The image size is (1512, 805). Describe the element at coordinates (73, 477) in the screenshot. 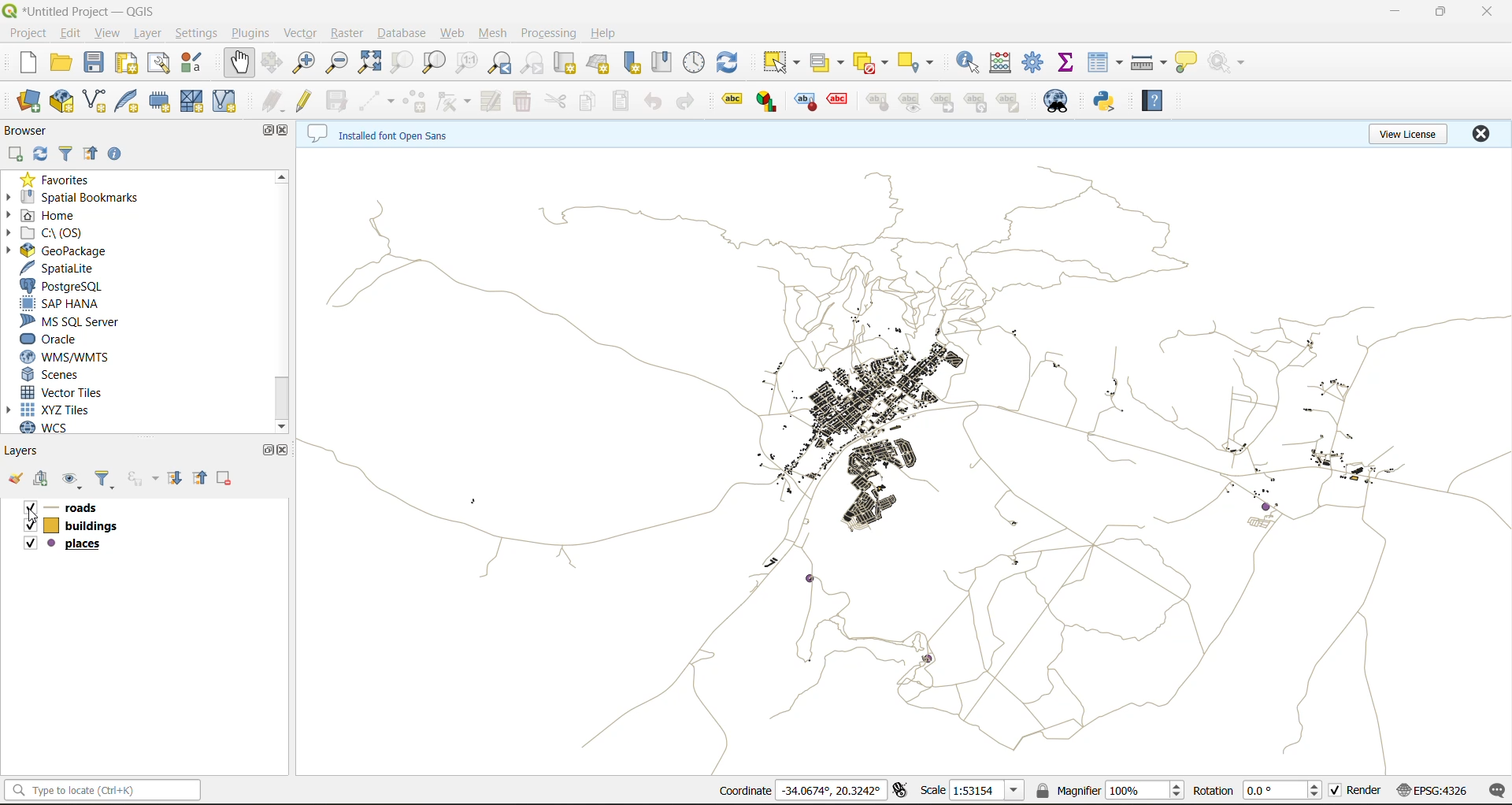

I see `manage map` at that location.